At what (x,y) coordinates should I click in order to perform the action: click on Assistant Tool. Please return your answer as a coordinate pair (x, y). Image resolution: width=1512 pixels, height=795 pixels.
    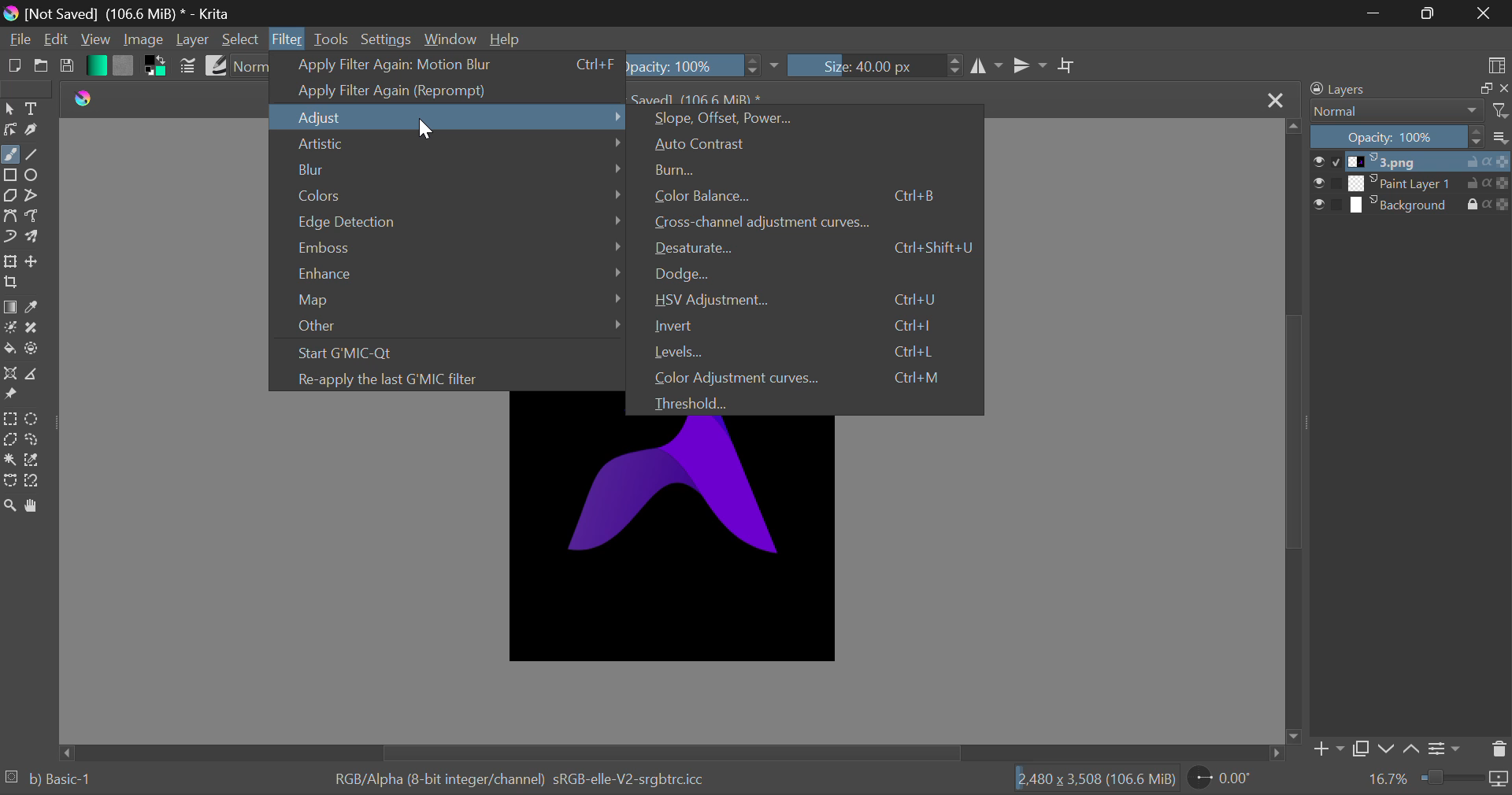
    Looking at the image, I should click on (9, 375).